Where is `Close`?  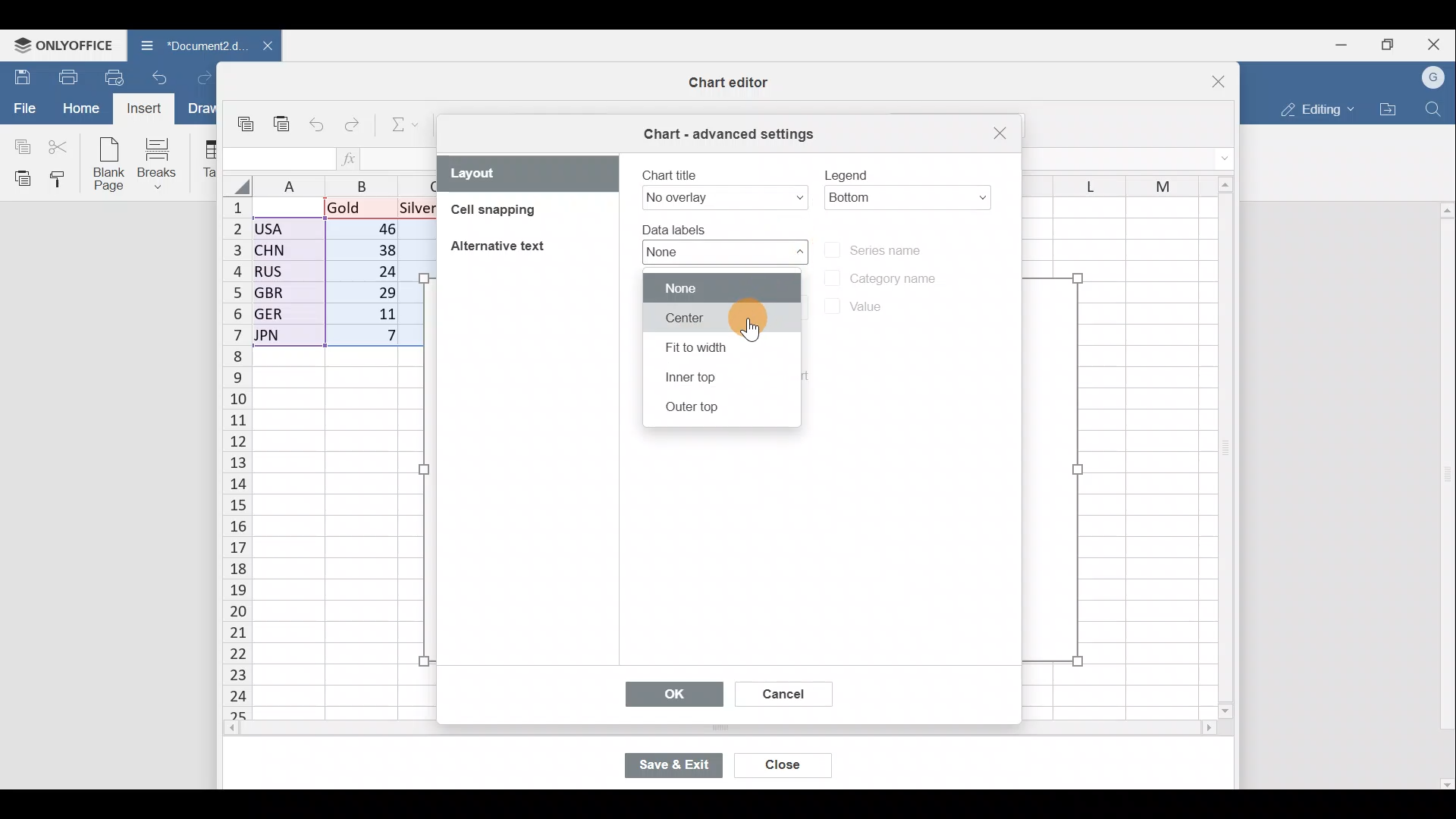 Close is located at coordinates (1204, 84).